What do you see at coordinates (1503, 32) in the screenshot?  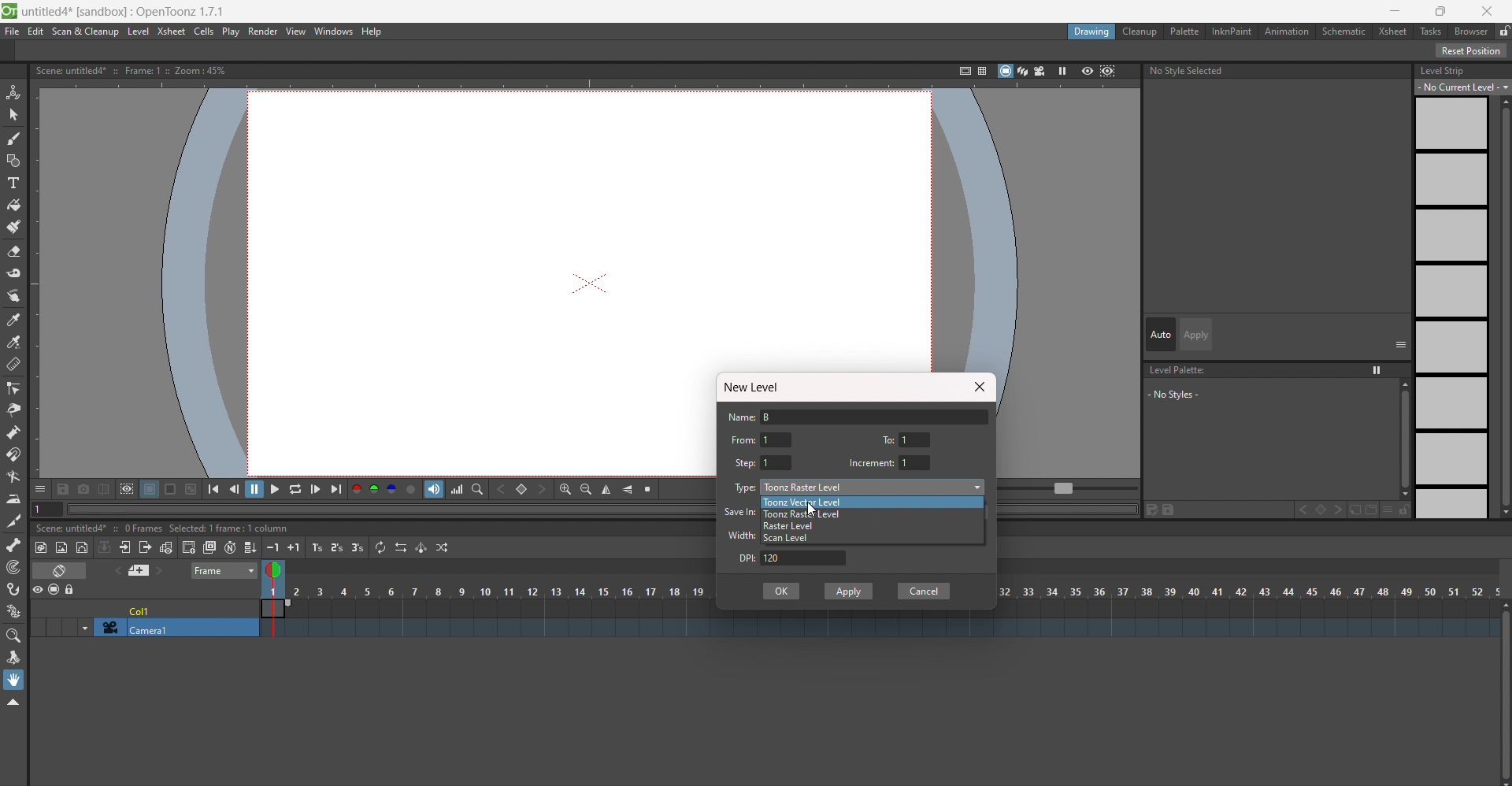 I see `lock unlock` at bounding box center [1503, 32].